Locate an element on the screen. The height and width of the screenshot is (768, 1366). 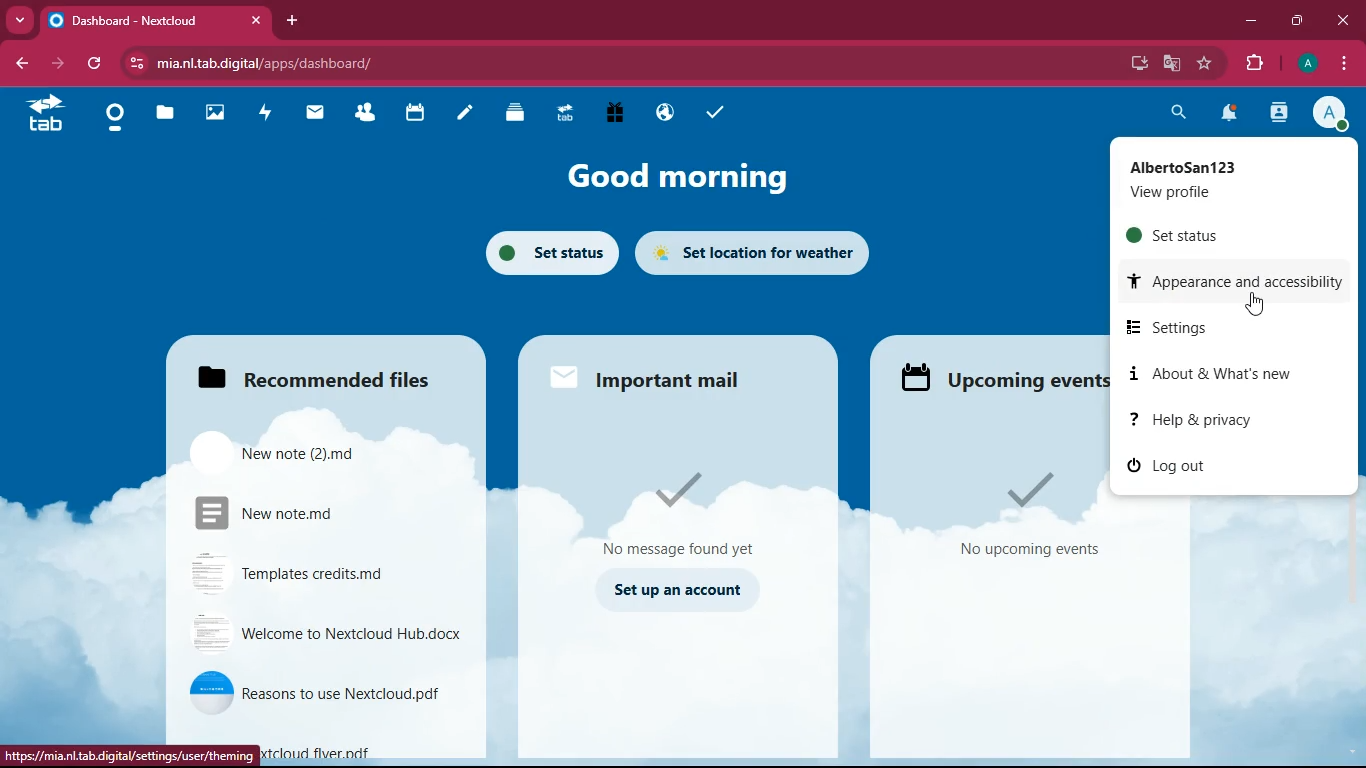
forward is located at coordinates (60, 63).